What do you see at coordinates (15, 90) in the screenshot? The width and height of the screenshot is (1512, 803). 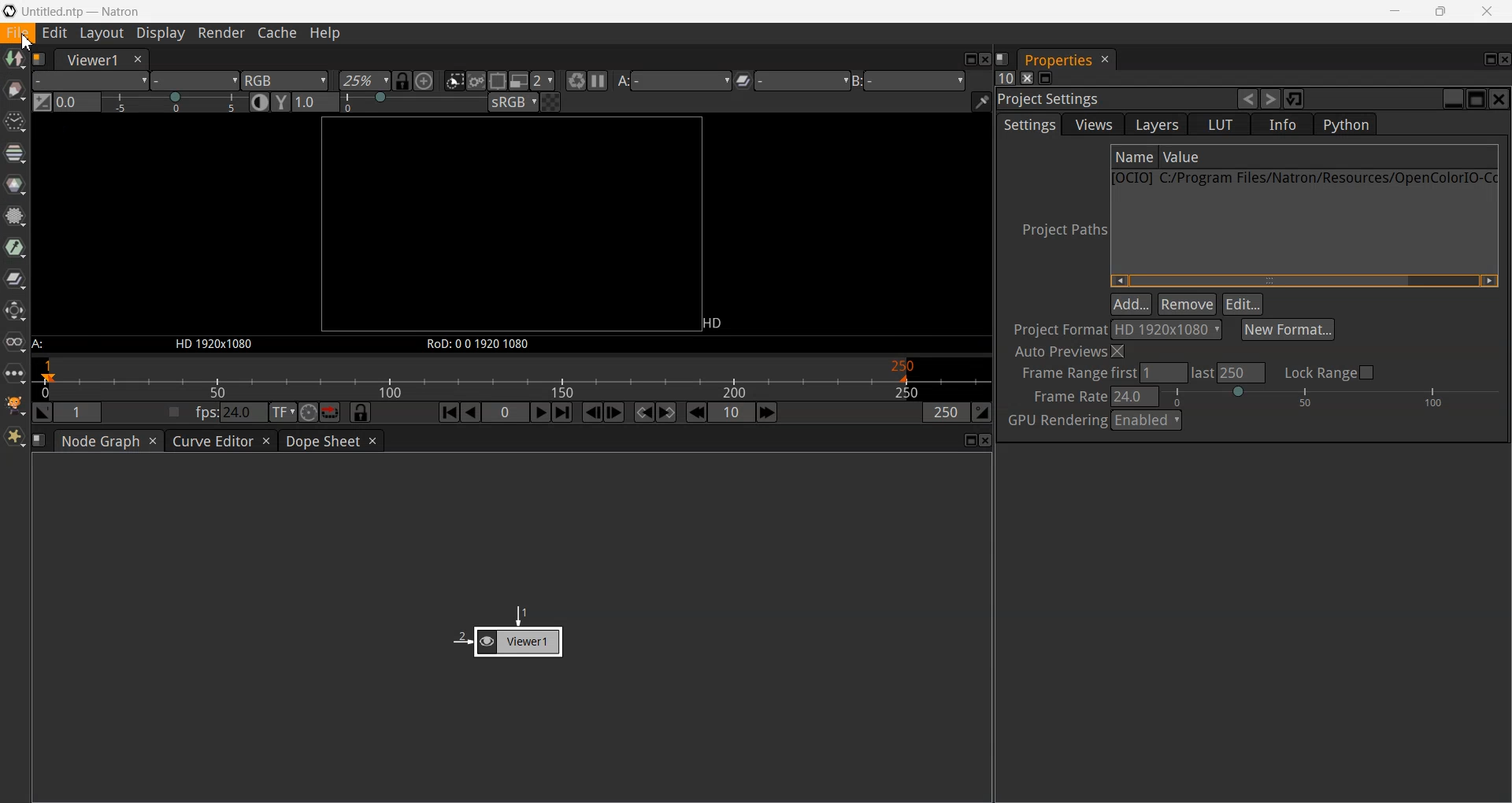 I see `Draw` at bounding box center [15, 90].